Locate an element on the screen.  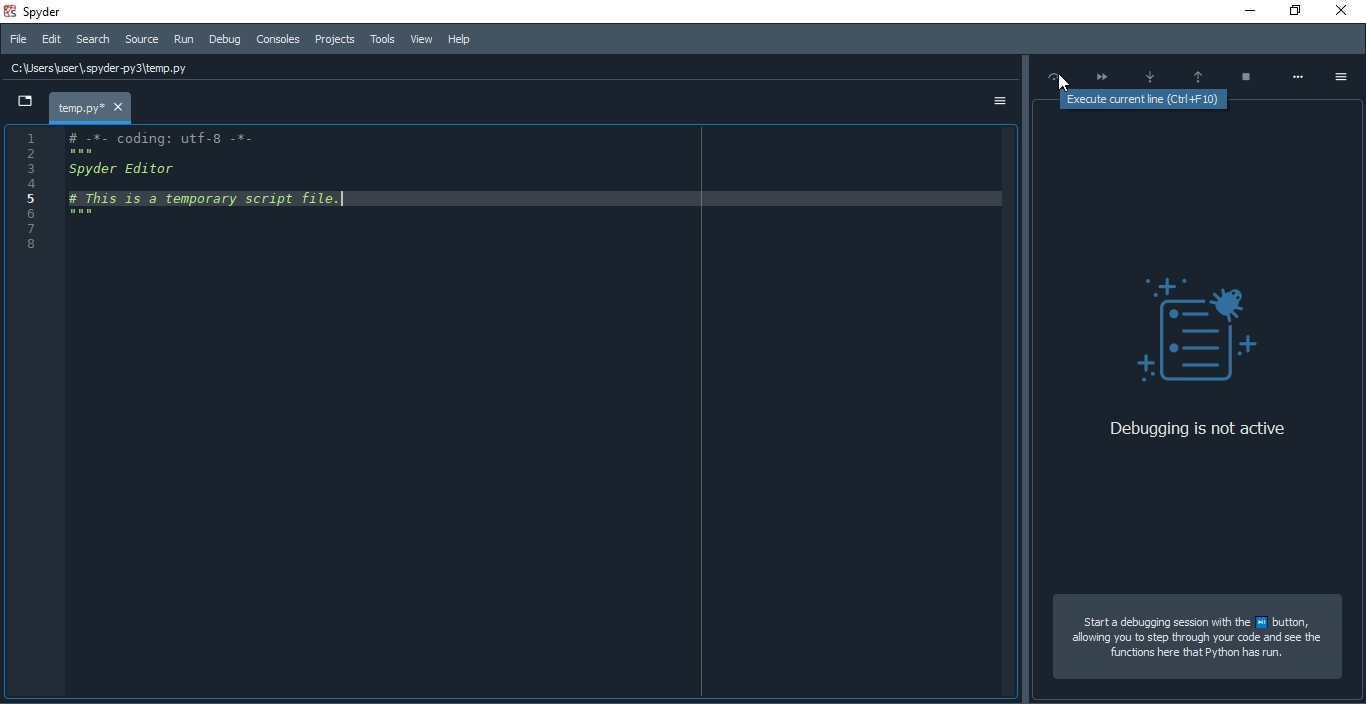
options is located at coordinates (1345, 78).